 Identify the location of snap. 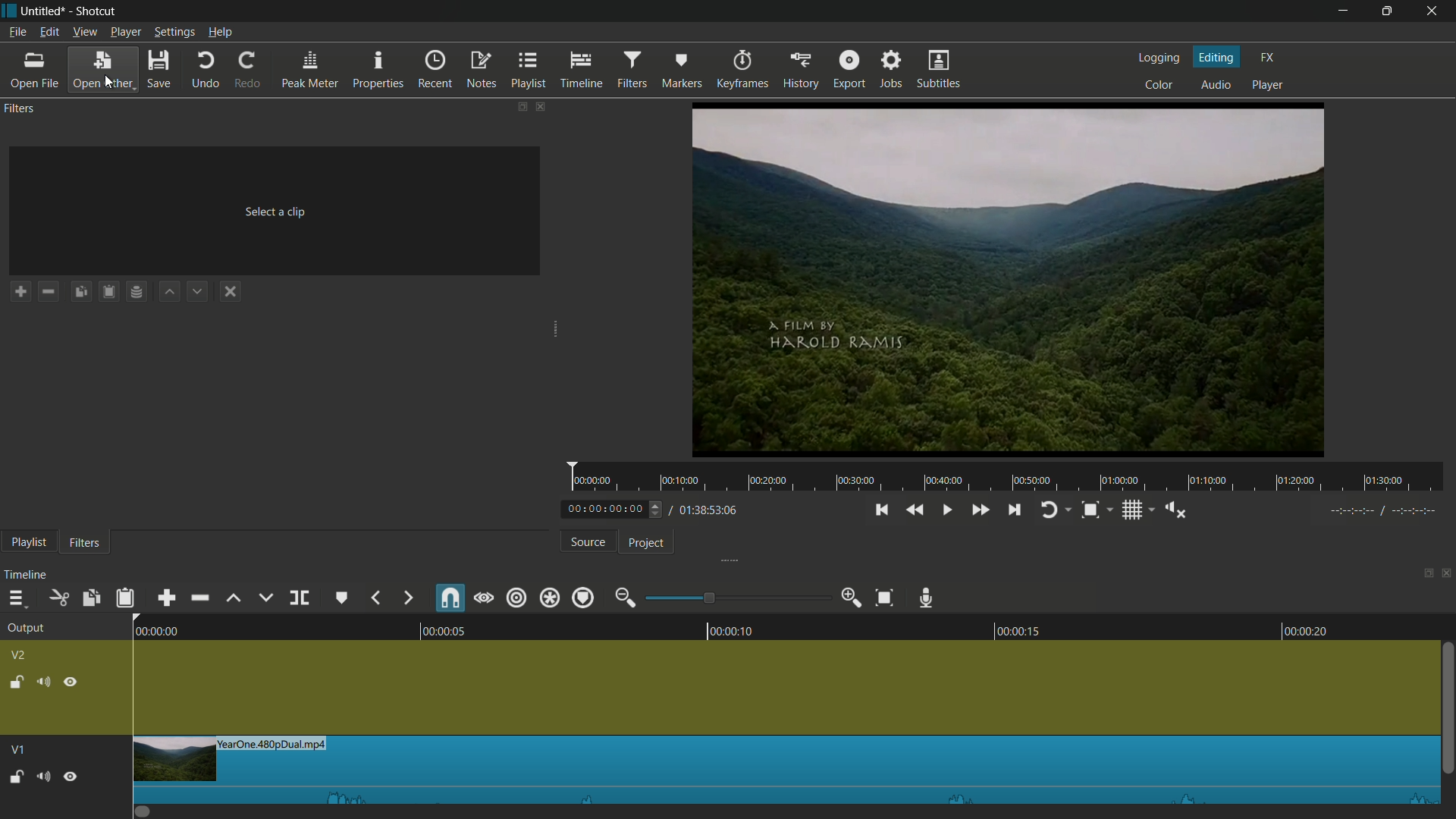
(451, 599).